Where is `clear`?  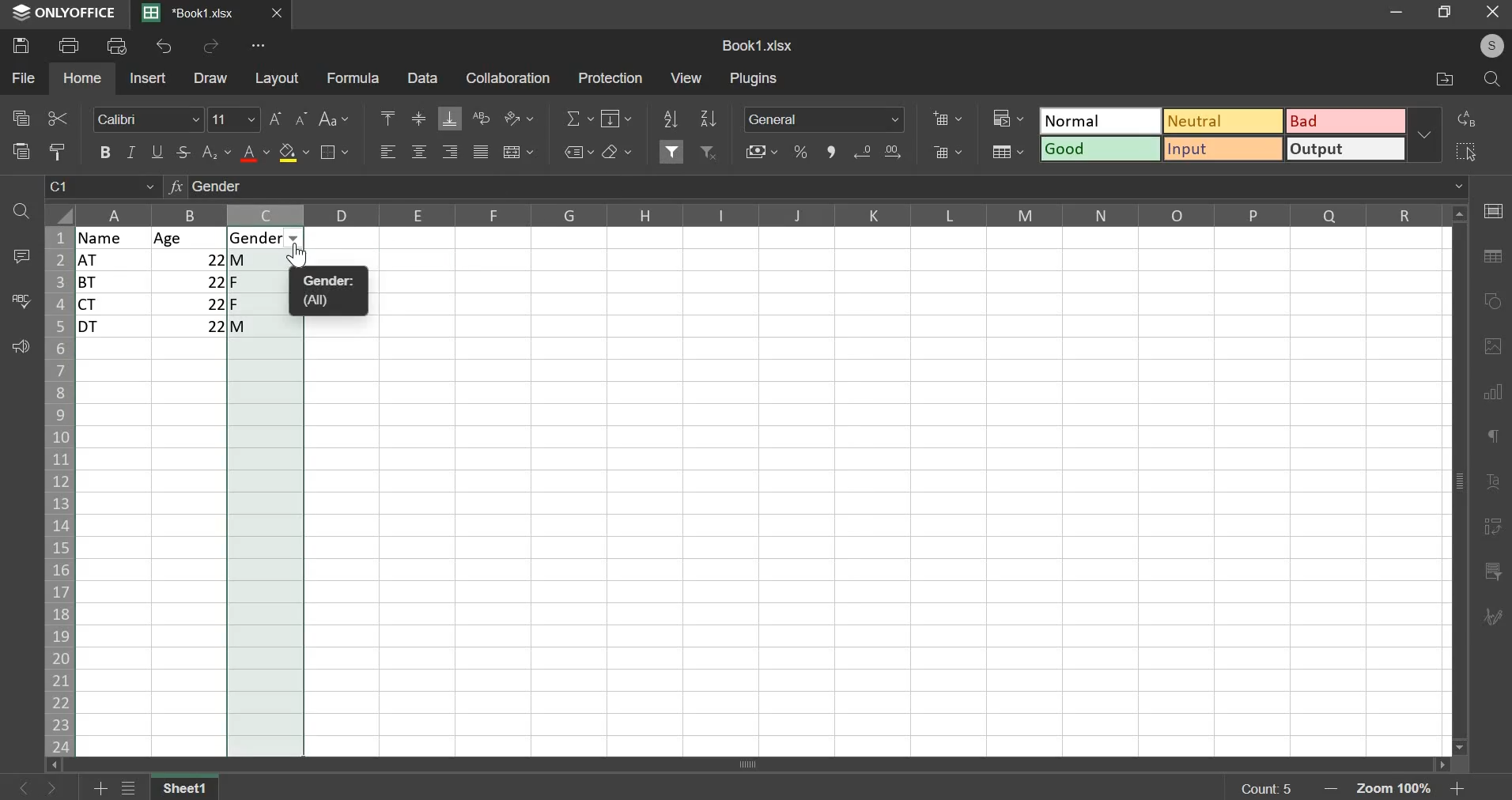
clear is located at coordinates (617, 151).